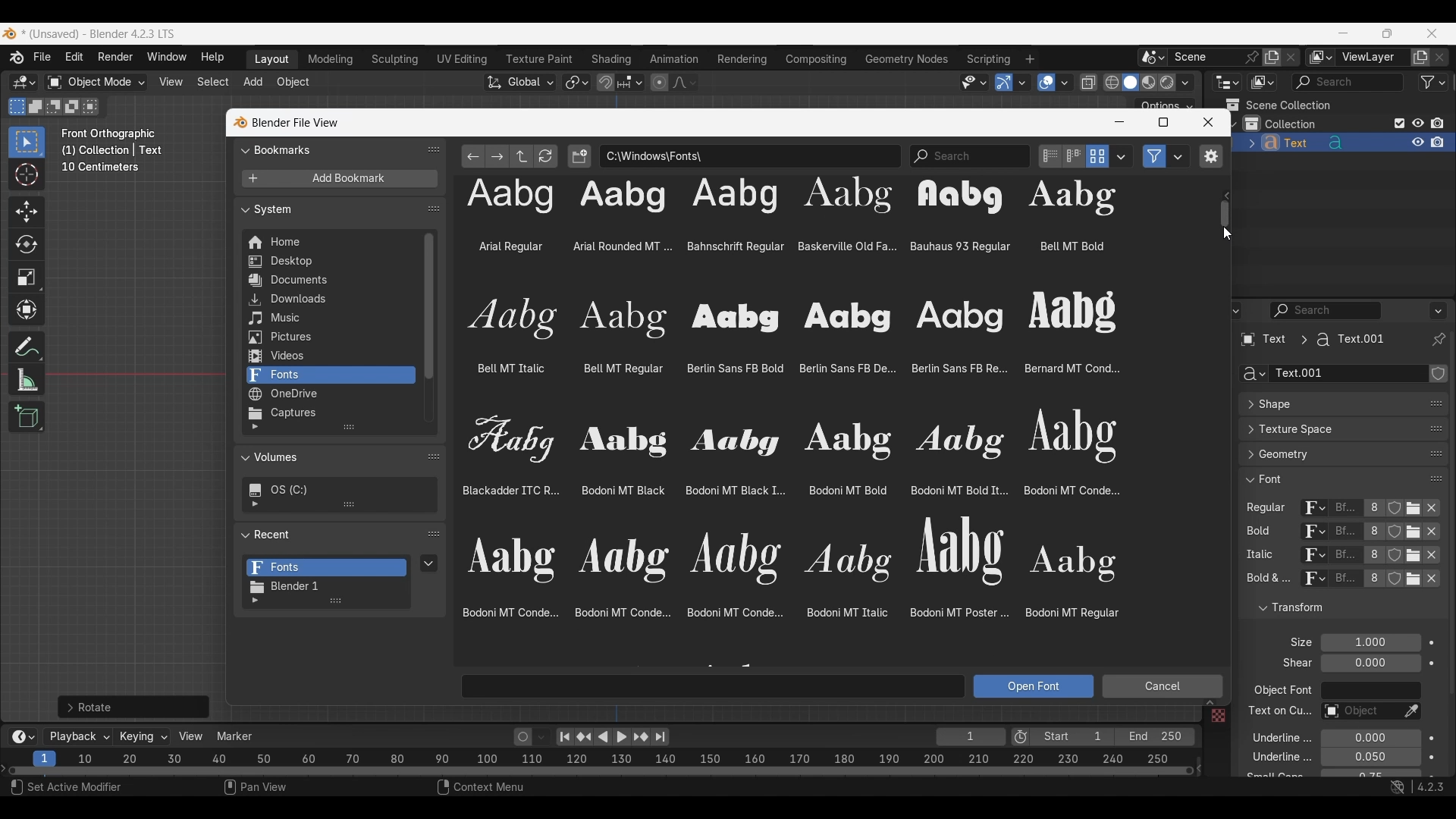 This screenshot has height=819, width=1456. Describe the element at coordinates (1359, 712) in the screenshot. I see `Text on curve` at that location.